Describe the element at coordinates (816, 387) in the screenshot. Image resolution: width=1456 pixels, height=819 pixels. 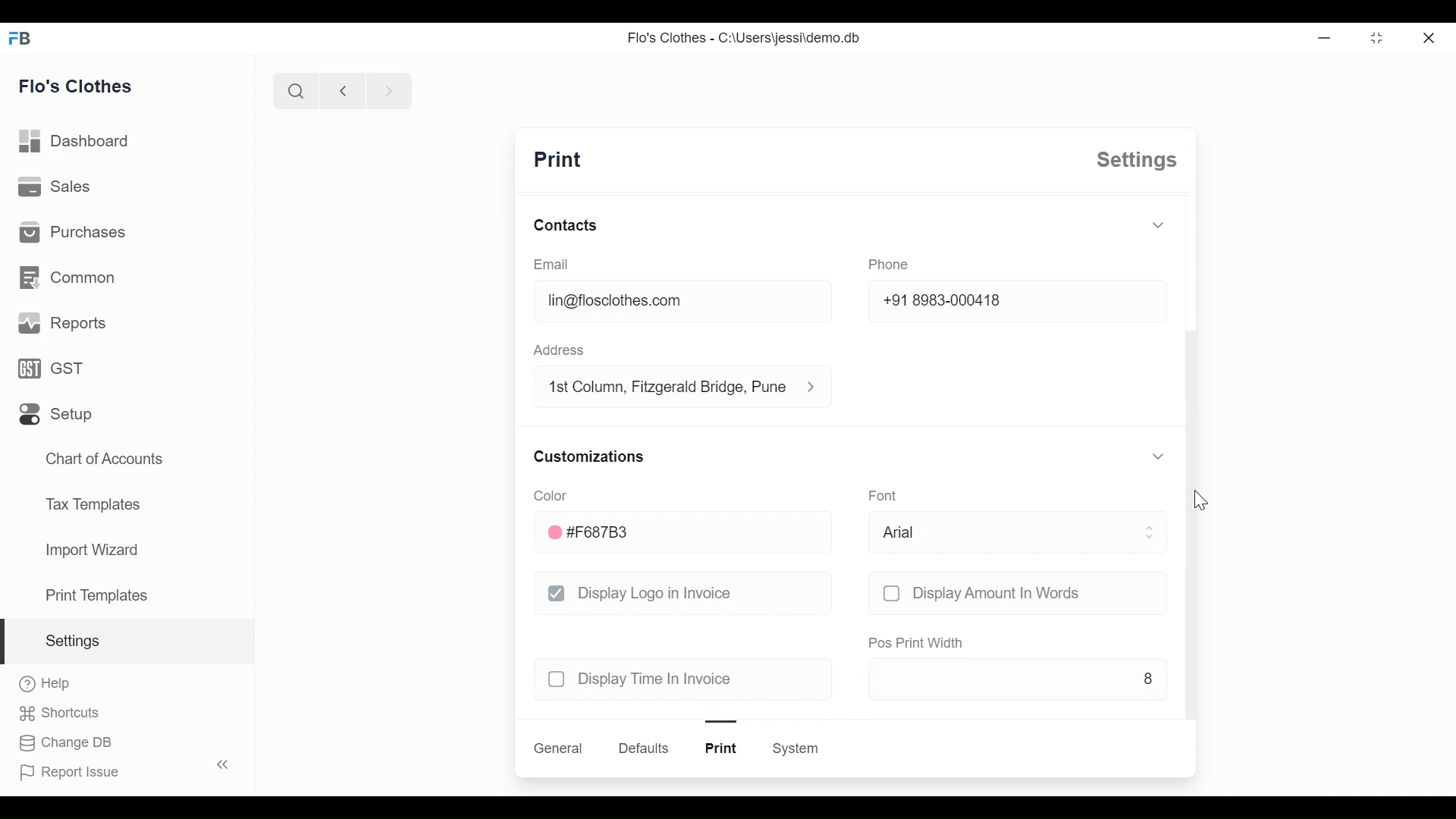
I see `address information` at that location.